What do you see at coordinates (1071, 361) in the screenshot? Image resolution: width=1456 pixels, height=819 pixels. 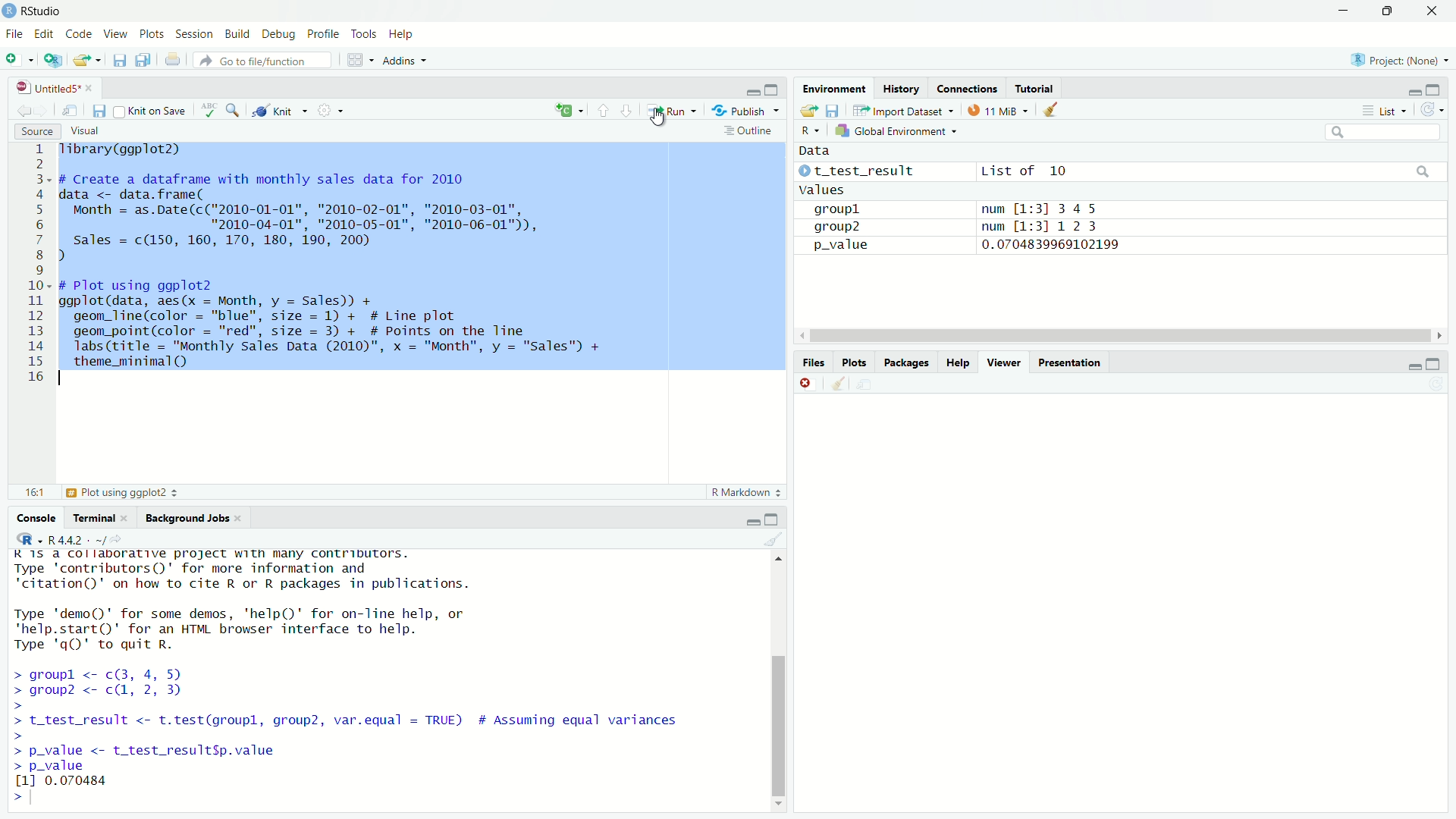 I see `Presentation` at bounding box center [1071, 361].